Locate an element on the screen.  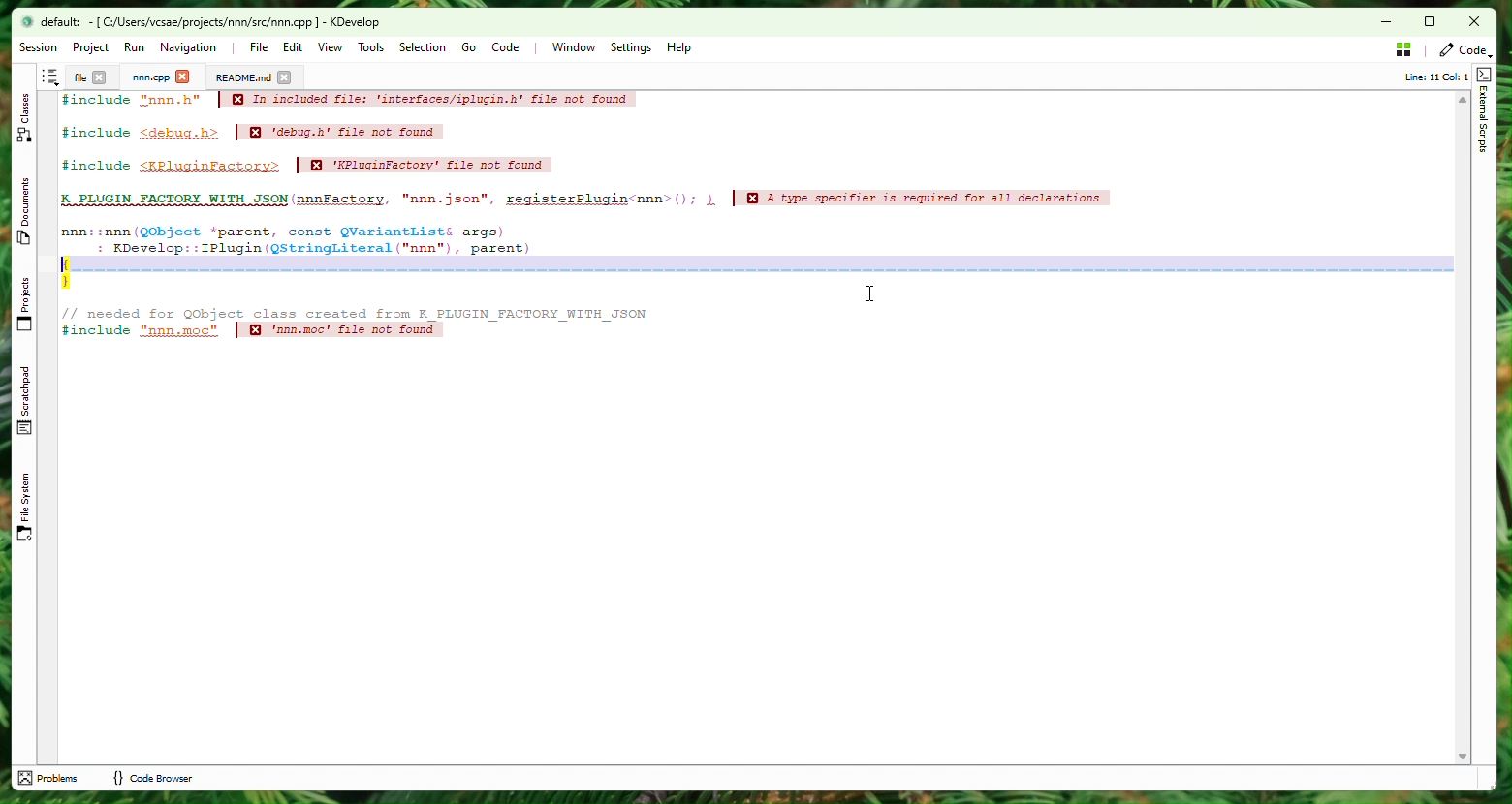
File is located at coordinates (78, 77).